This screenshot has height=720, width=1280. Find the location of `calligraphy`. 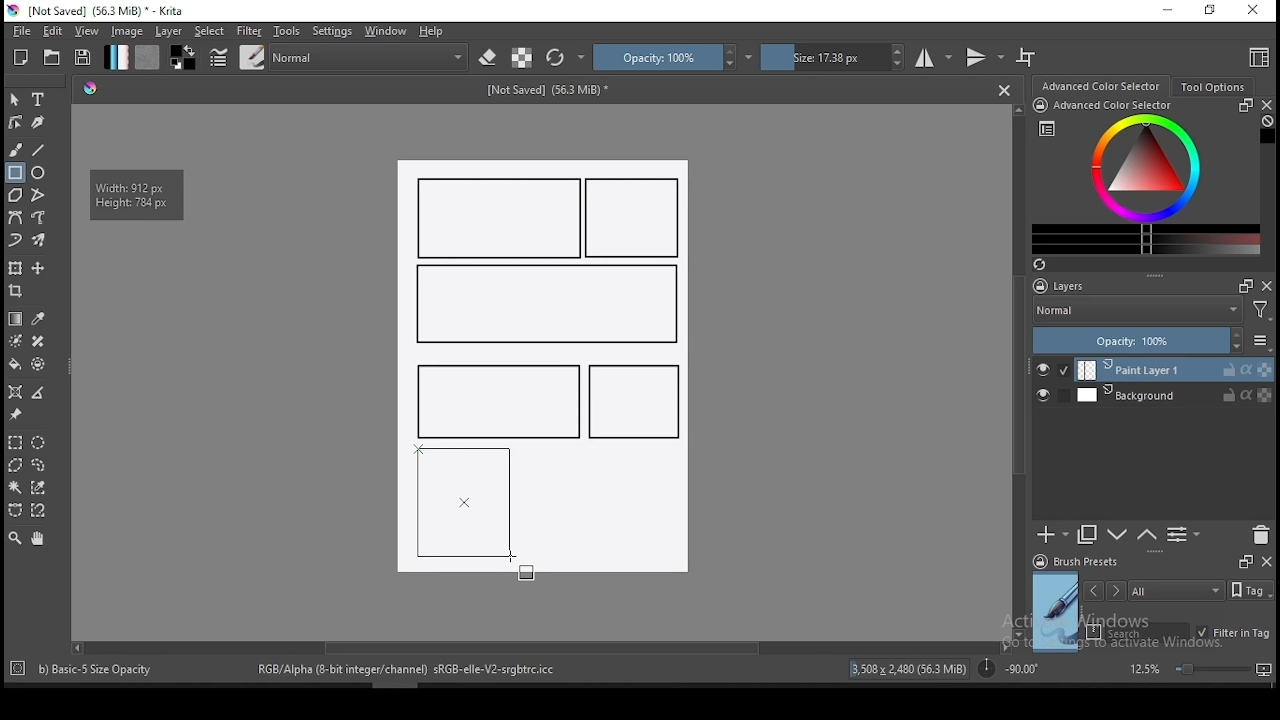

calligraphy is located at coordinates (39, 121).